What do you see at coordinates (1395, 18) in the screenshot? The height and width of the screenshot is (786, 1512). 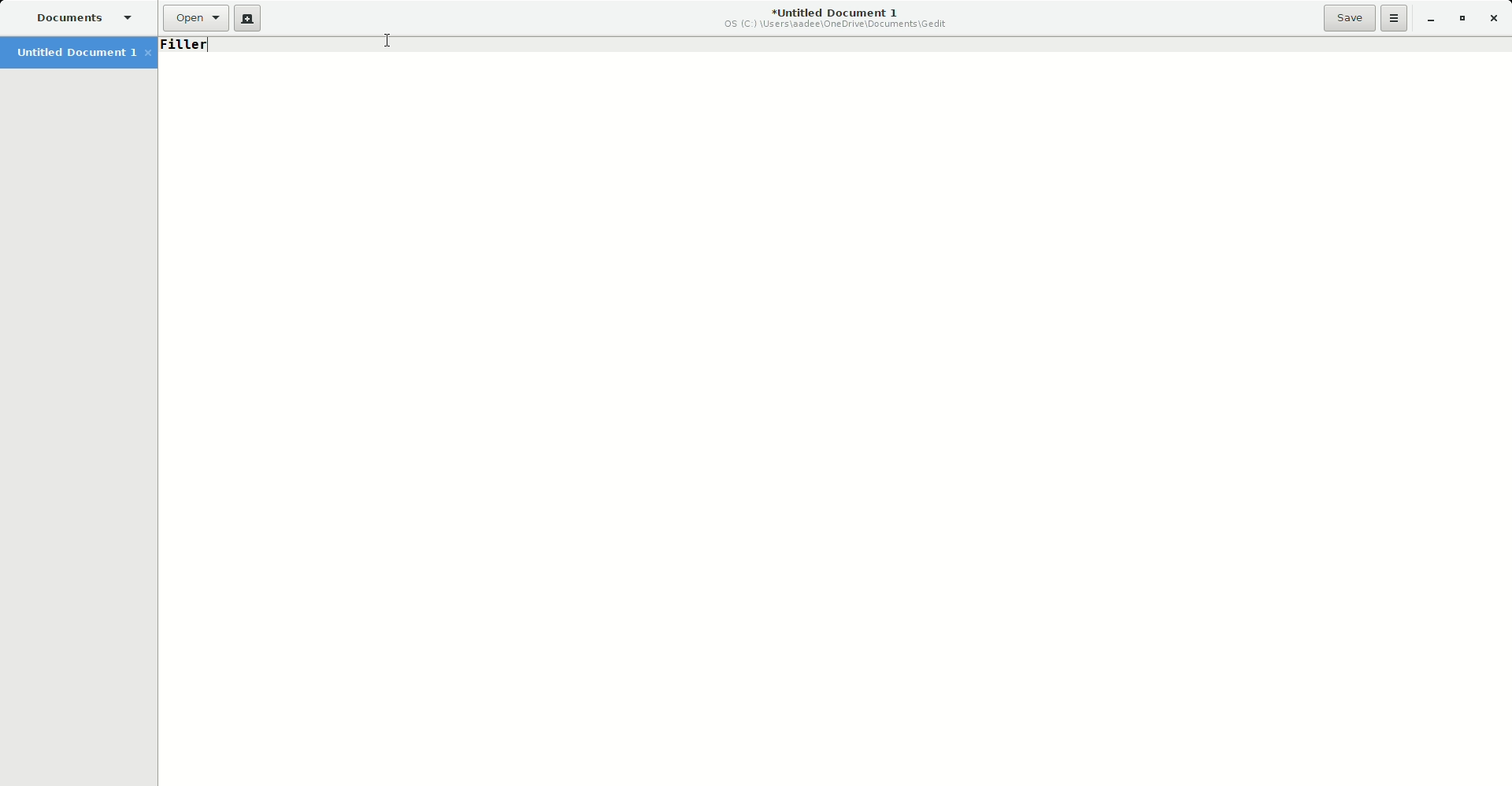 I see `Options` at bounding box center [1395, 18].